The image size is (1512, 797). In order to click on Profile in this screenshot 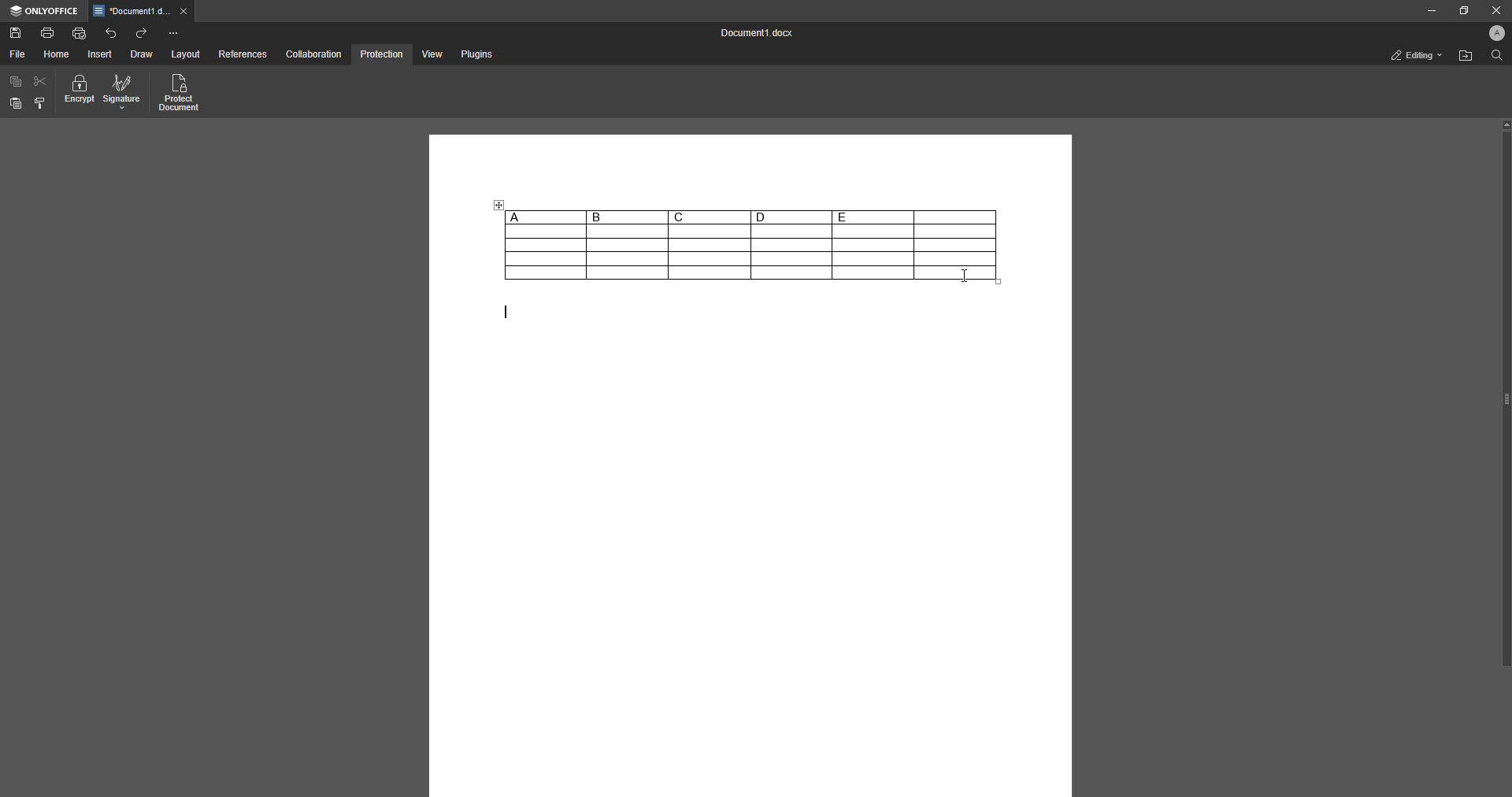, I will do `click(1493, 35)`.